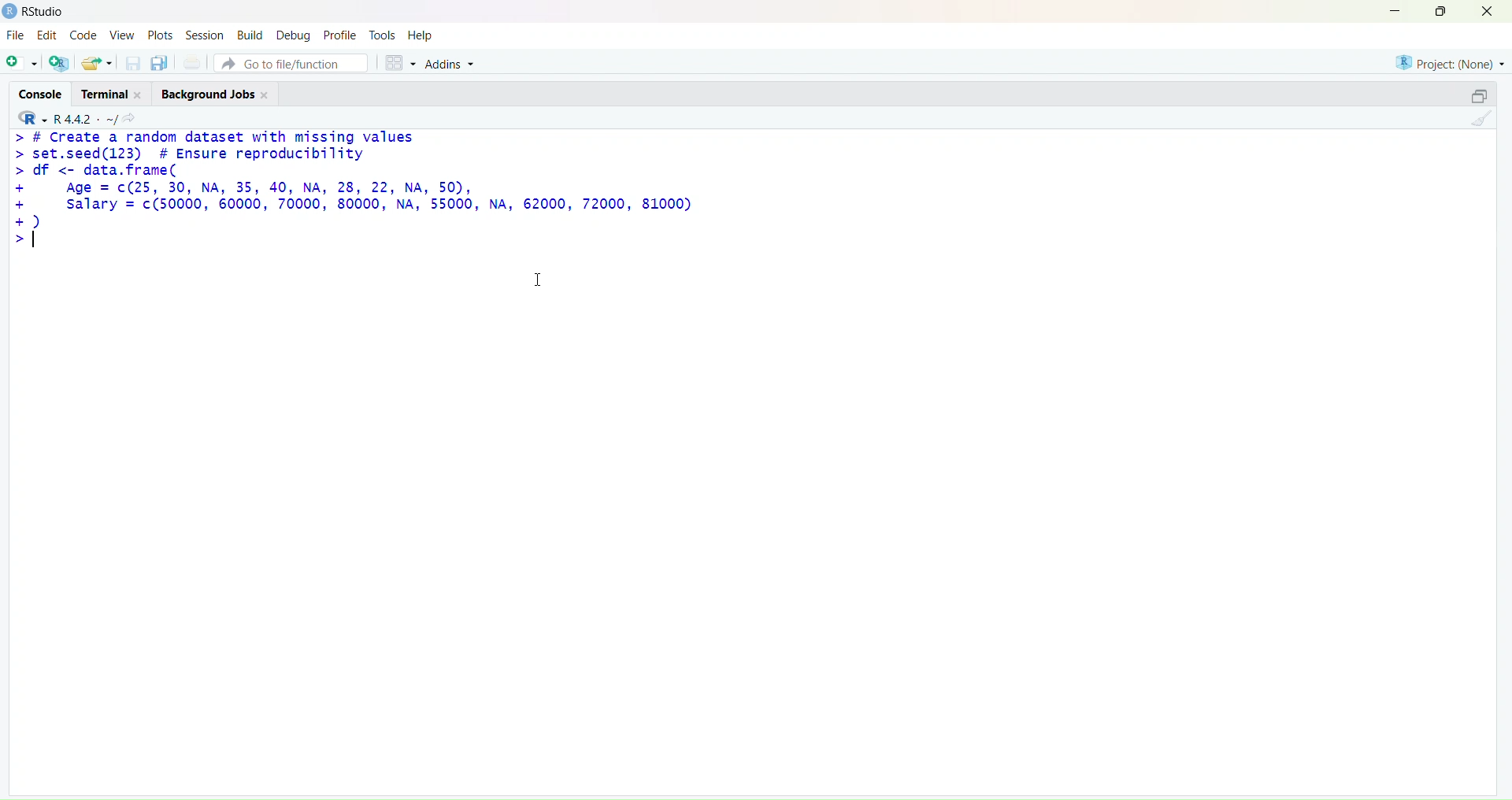 This screenshot has width=1512, height=800. I want to click on open an existing file, so click(96, 64).